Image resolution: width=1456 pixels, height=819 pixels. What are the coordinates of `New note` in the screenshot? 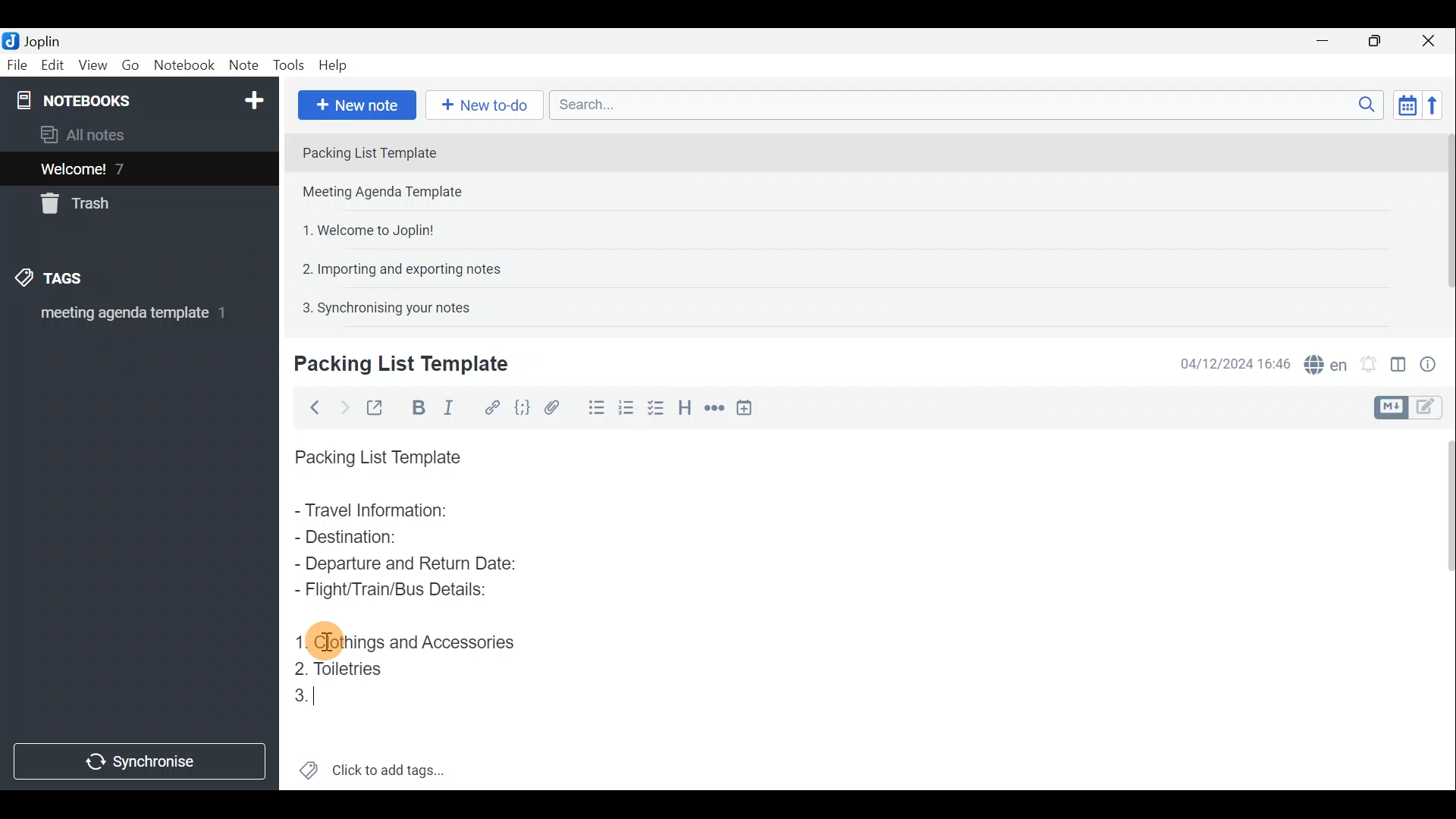 It's located at (356, 103).